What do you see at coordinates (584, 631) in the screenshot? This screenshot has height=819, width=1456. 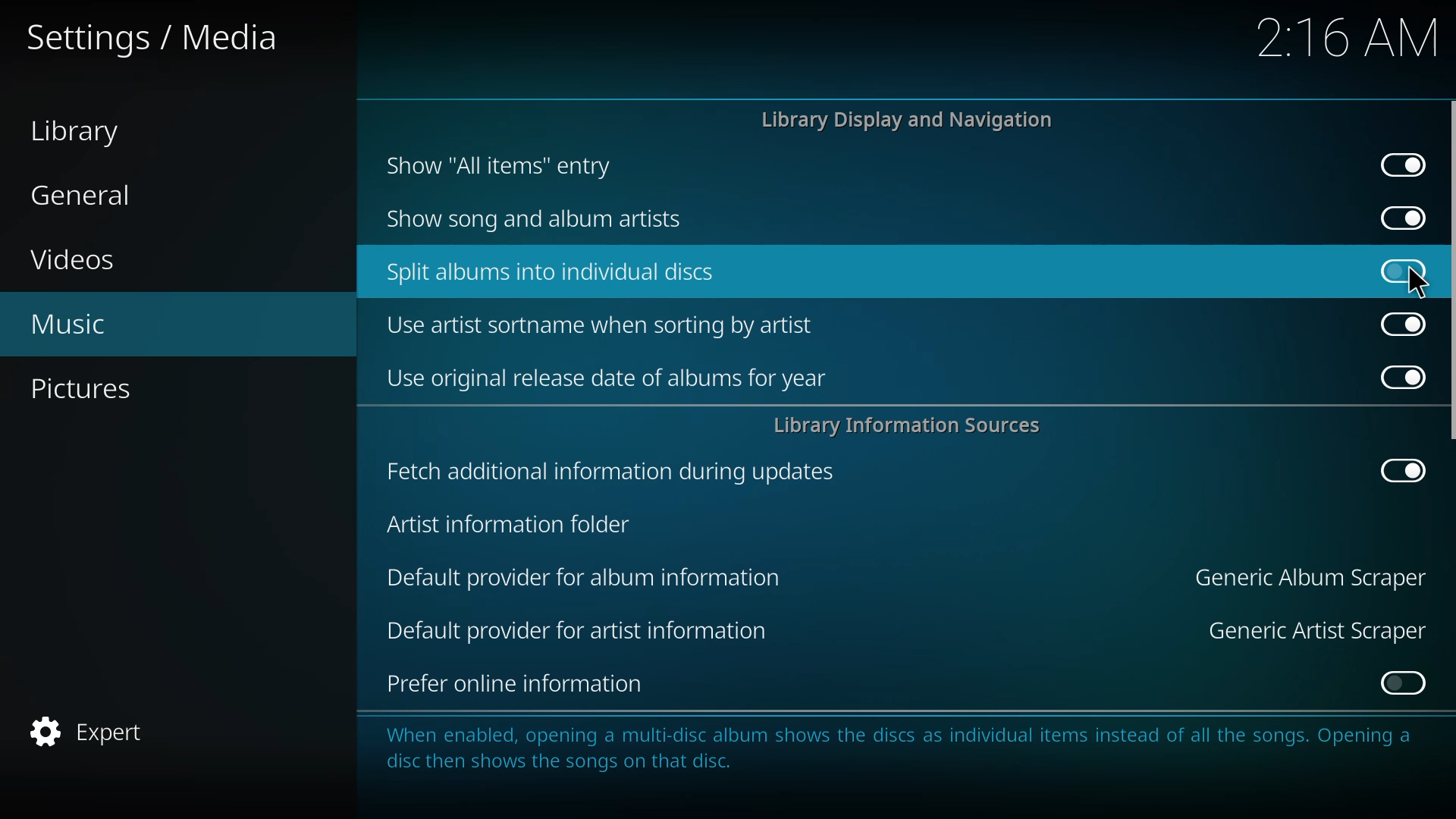 I see `default provider for artist information` at bounding box center [584, 631].